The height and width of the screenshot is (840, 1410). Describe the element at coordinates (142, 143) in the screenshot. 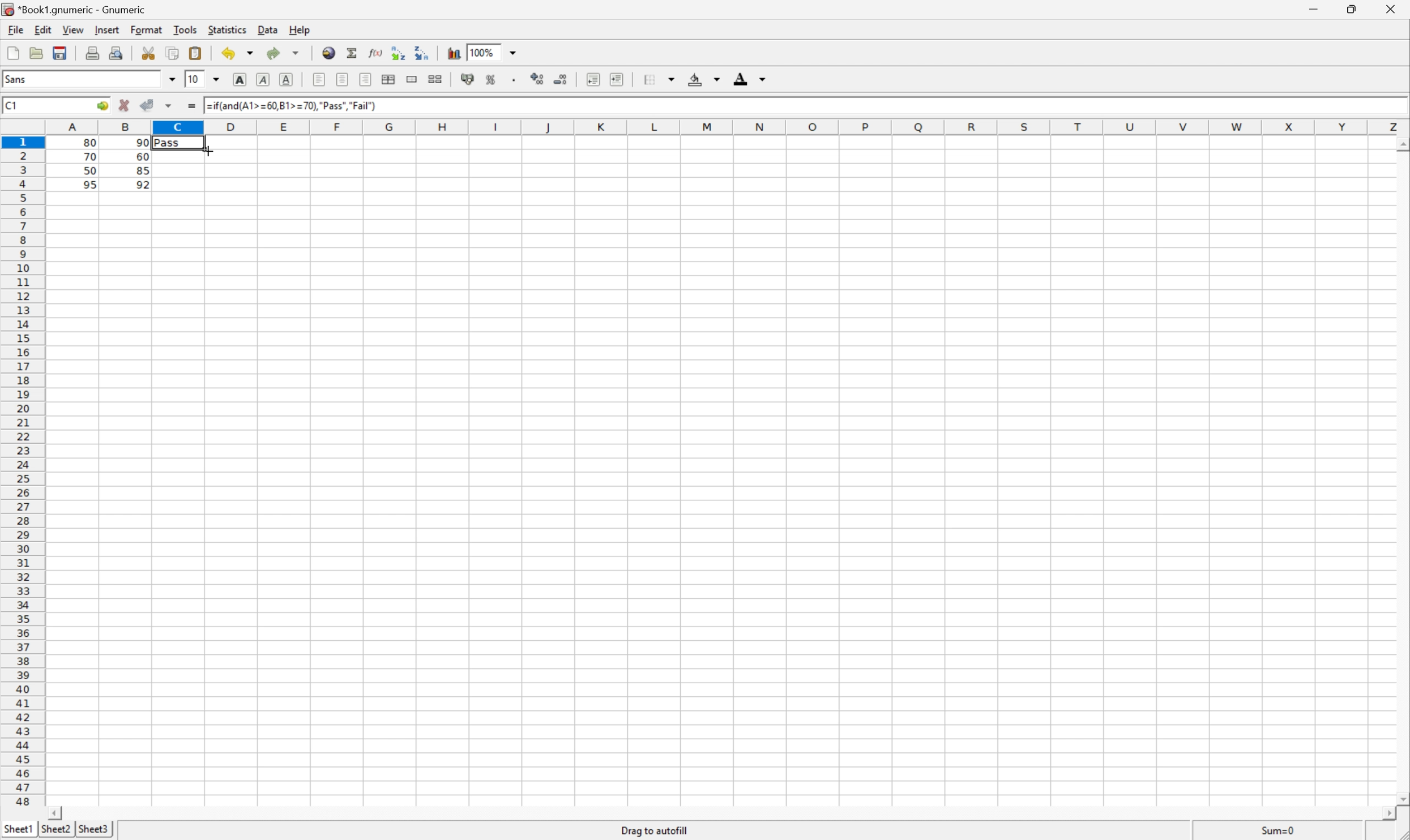

I see `90` at that location.